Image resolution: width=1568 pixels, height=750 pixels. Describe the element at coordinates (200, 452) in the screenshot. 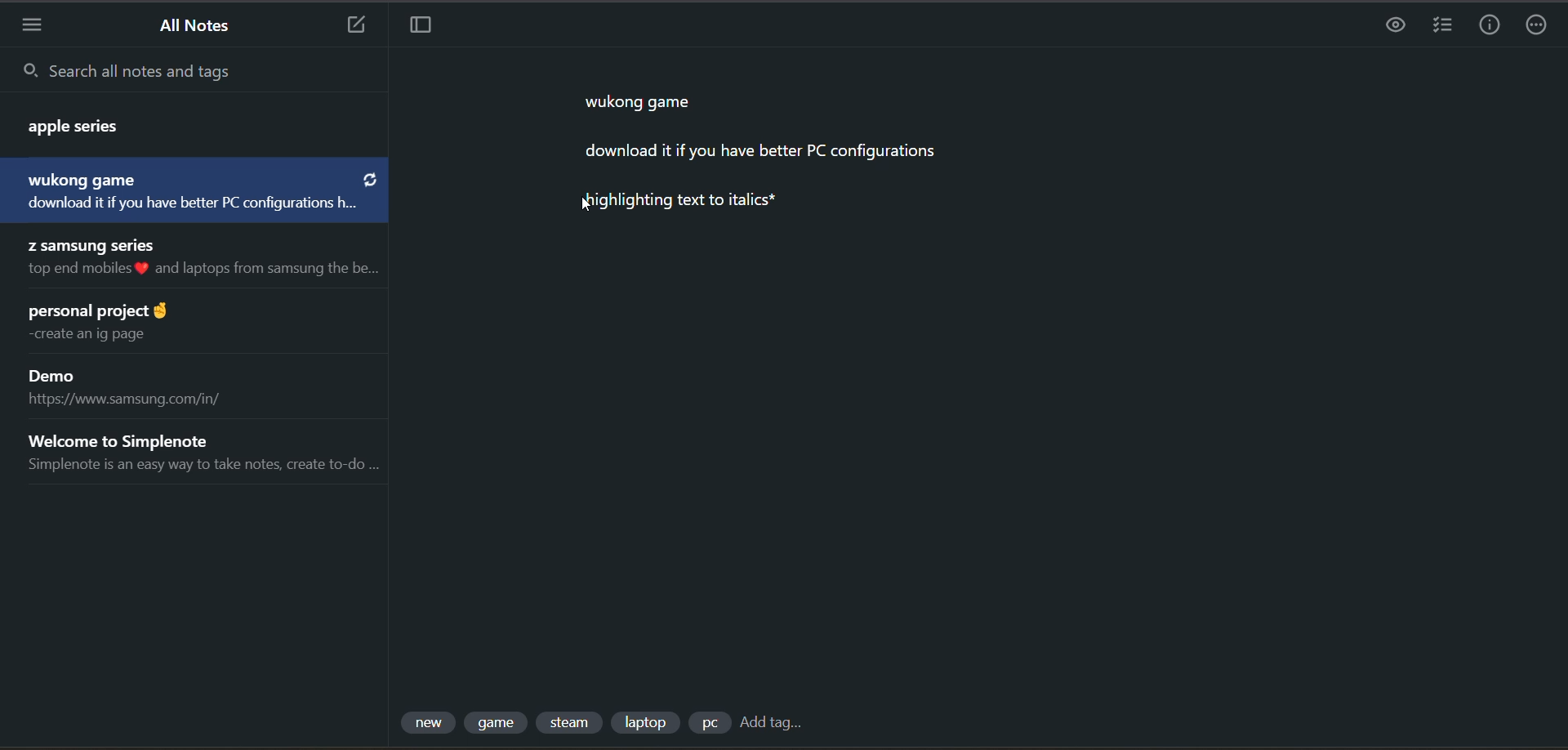

I see `note title and preview` at that location.